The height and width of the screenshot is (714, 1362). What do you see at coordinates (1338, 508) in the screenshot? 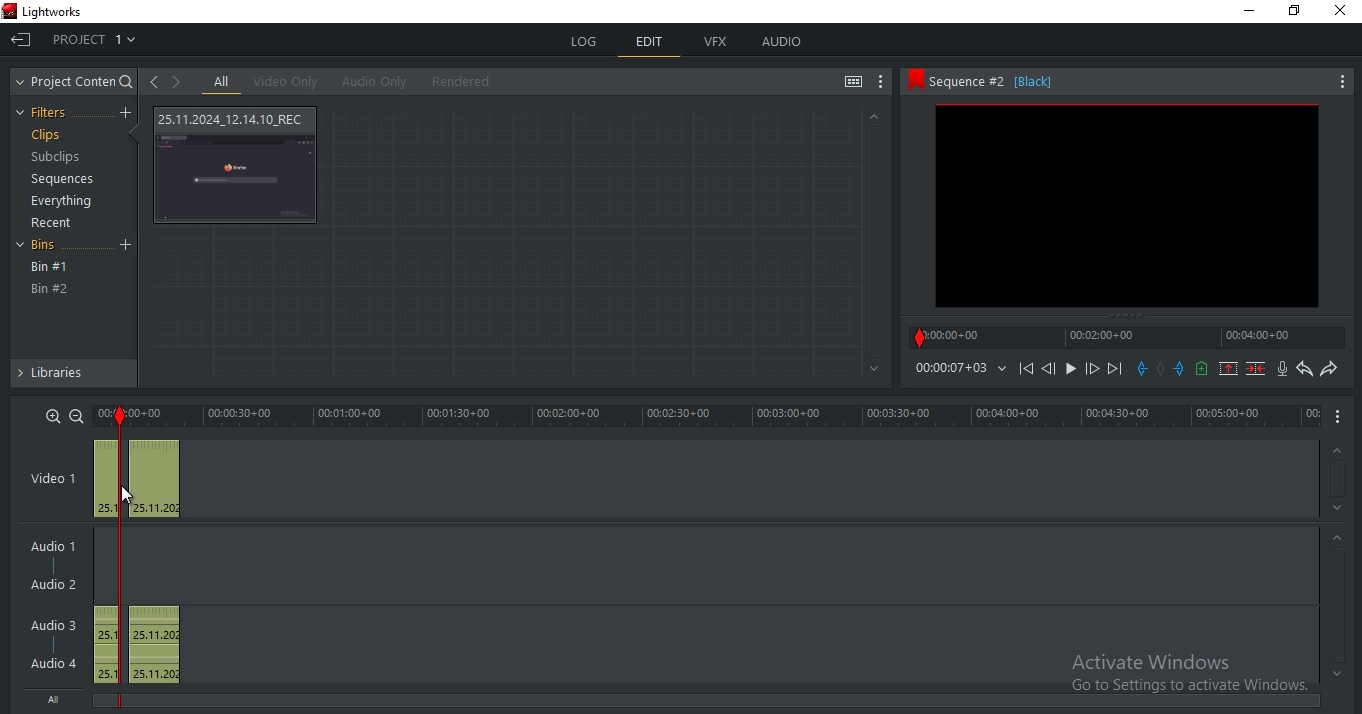
I see `Down` at bounding box center [1338, 508].